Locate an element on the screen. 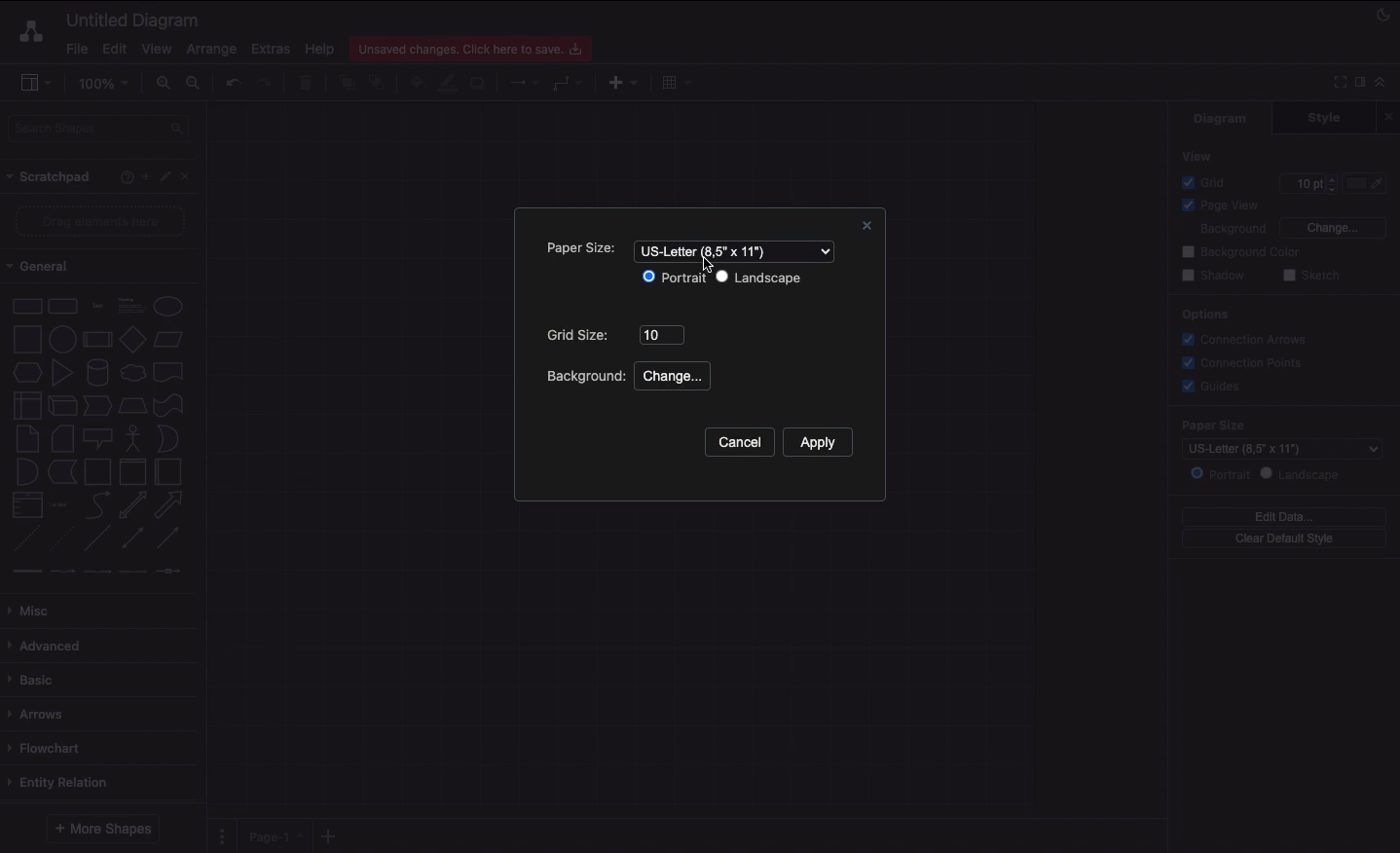 This screenshot has height=853, width=1400. Shadow is located at coordinates (479, 82).